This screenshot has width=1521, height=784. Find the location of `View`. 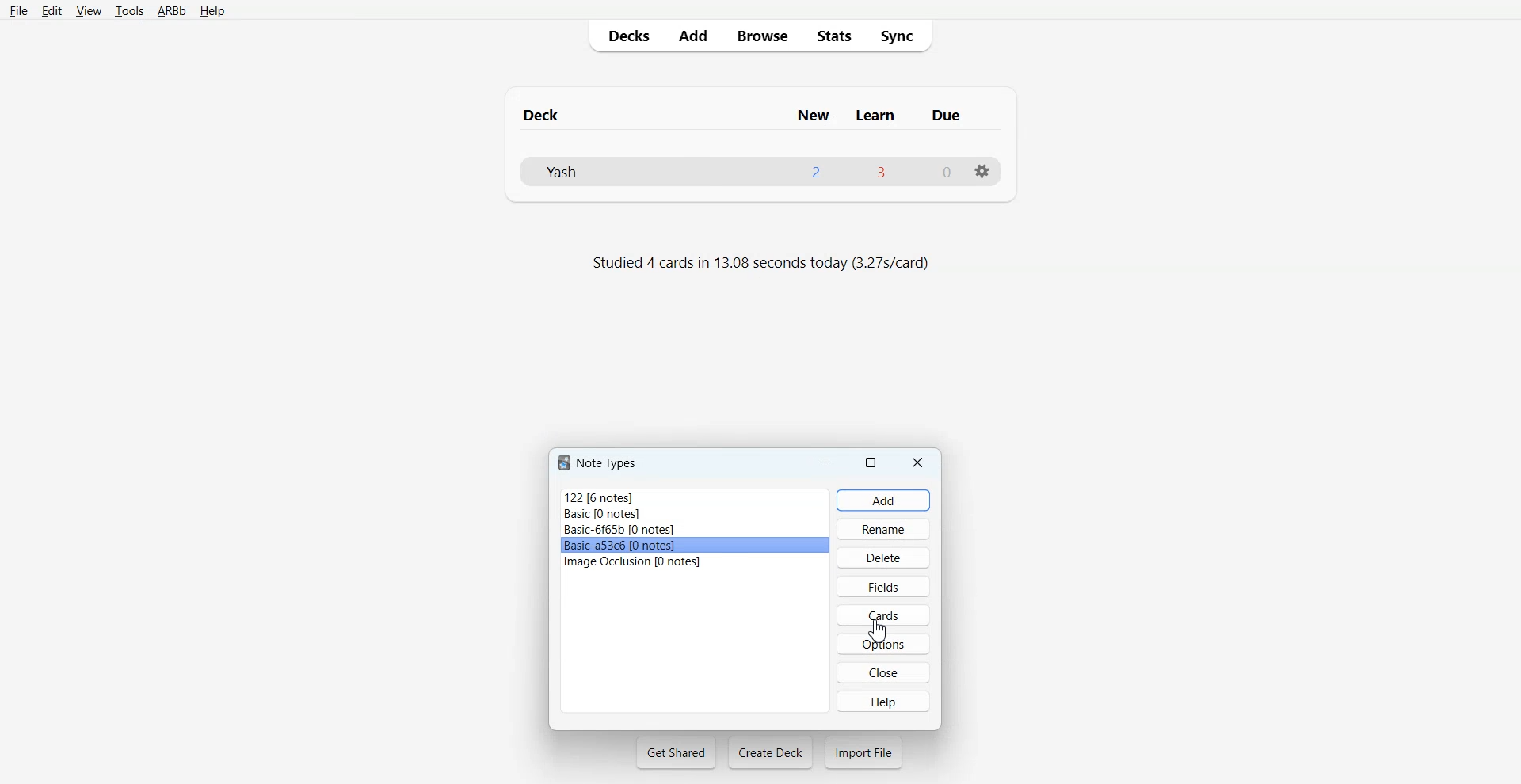

View is located at coordinates (89, 11).